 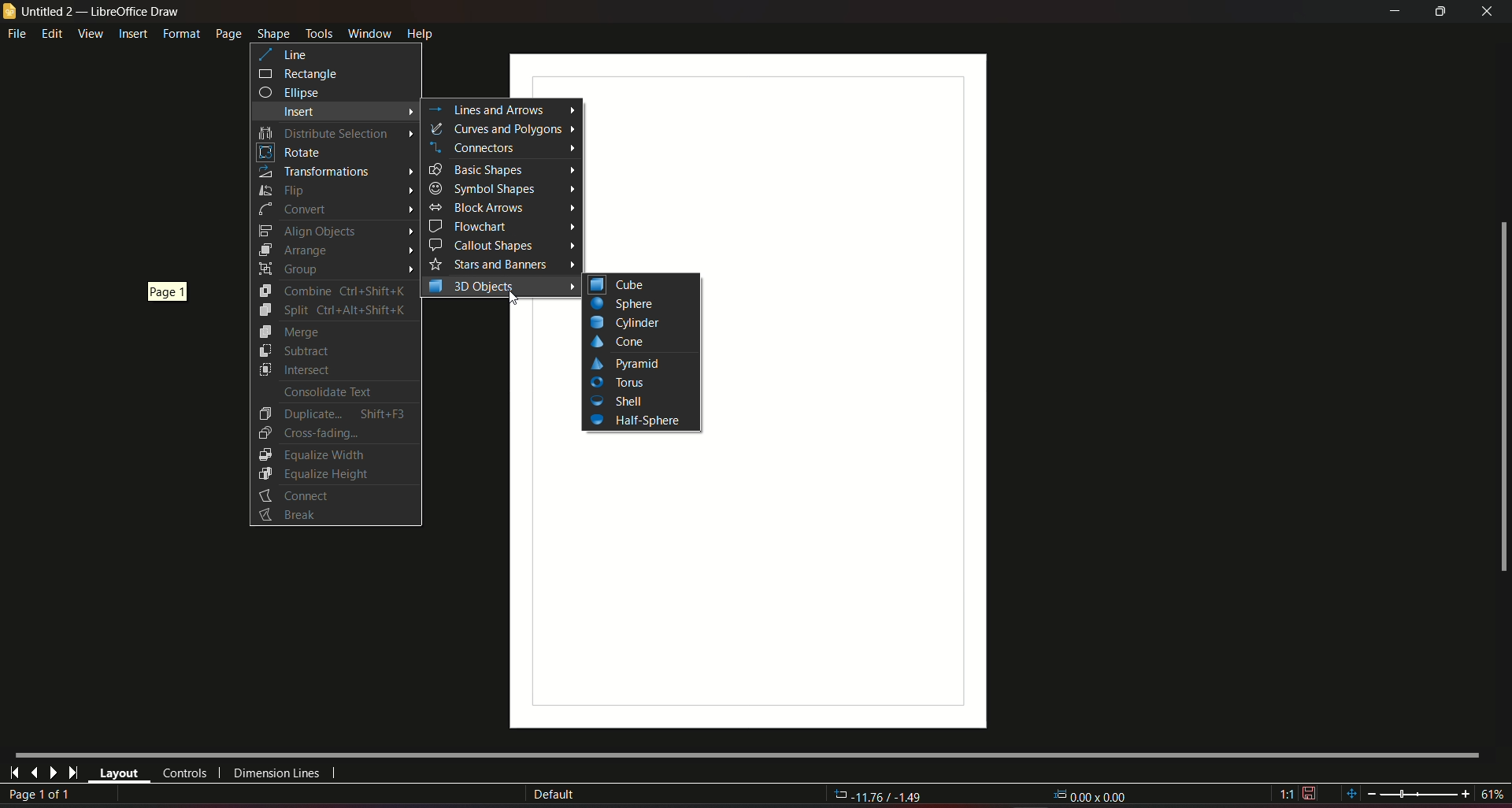 What do you see at coordinates (571, 264) in the screenshot?
I see `Arrow` at bounding box center [571, 264].